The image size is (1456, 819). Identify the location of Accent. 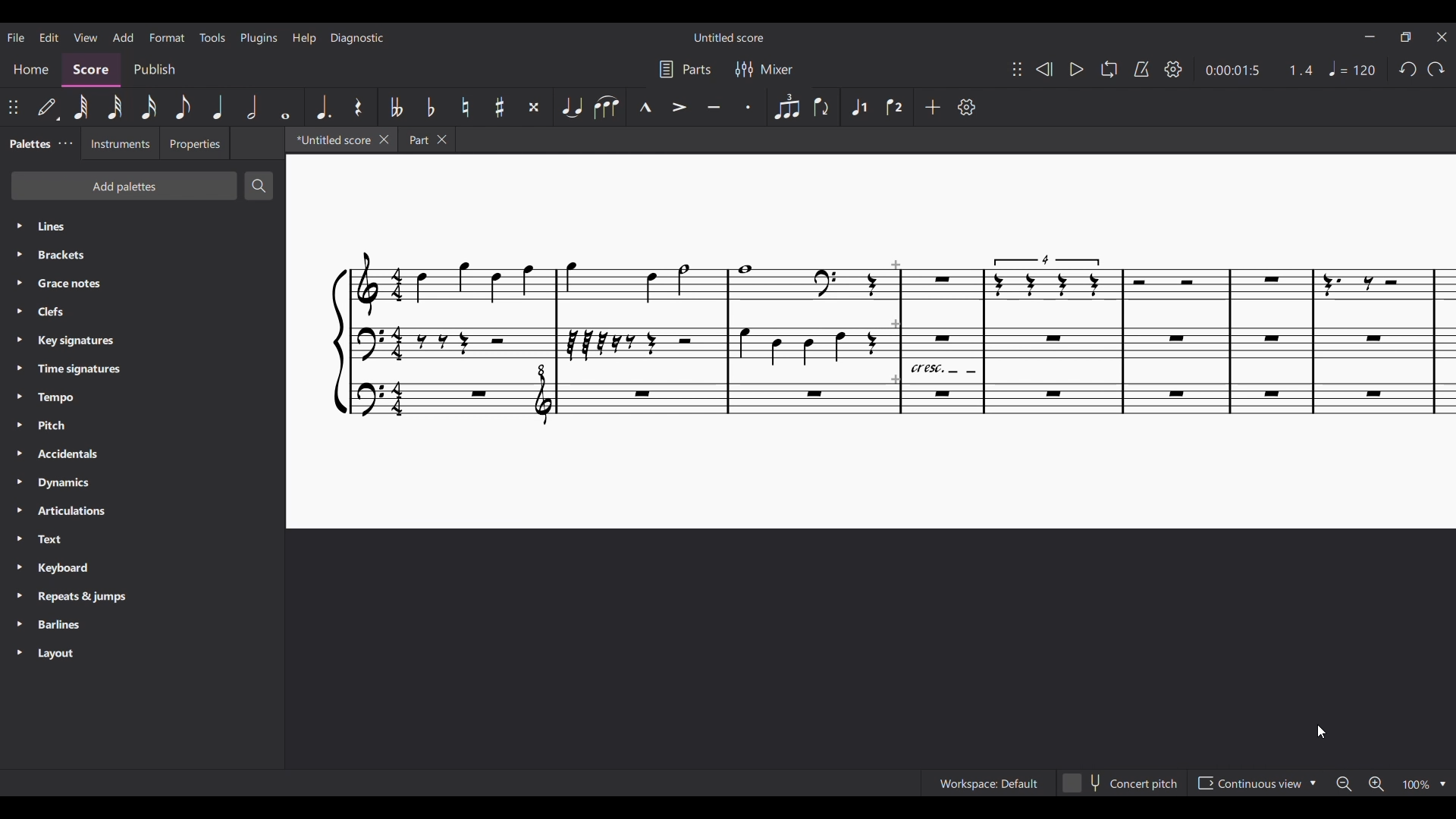
(678, 107).